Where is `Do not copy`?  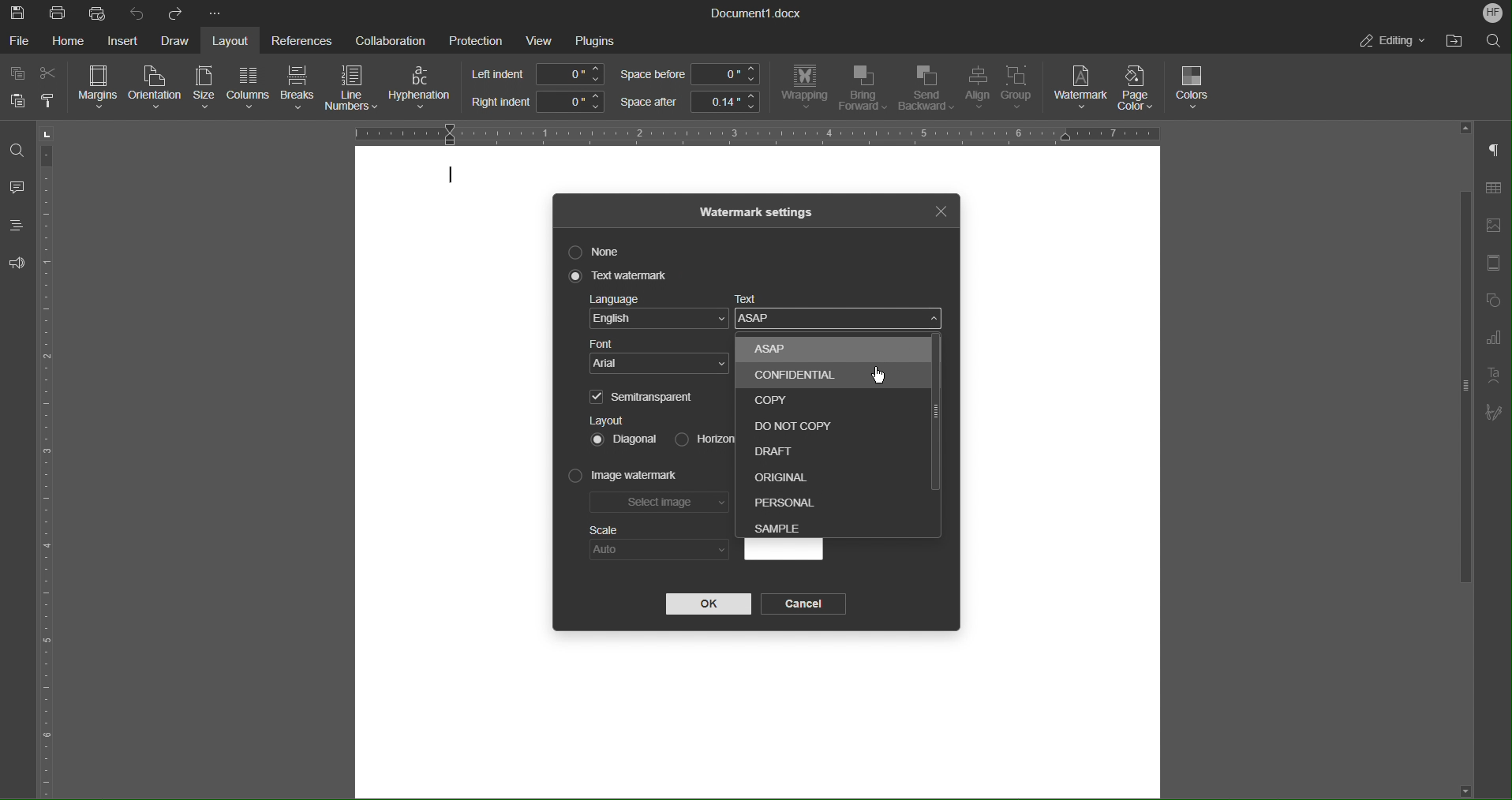 Do not copy is located at coordinates (784, 421).